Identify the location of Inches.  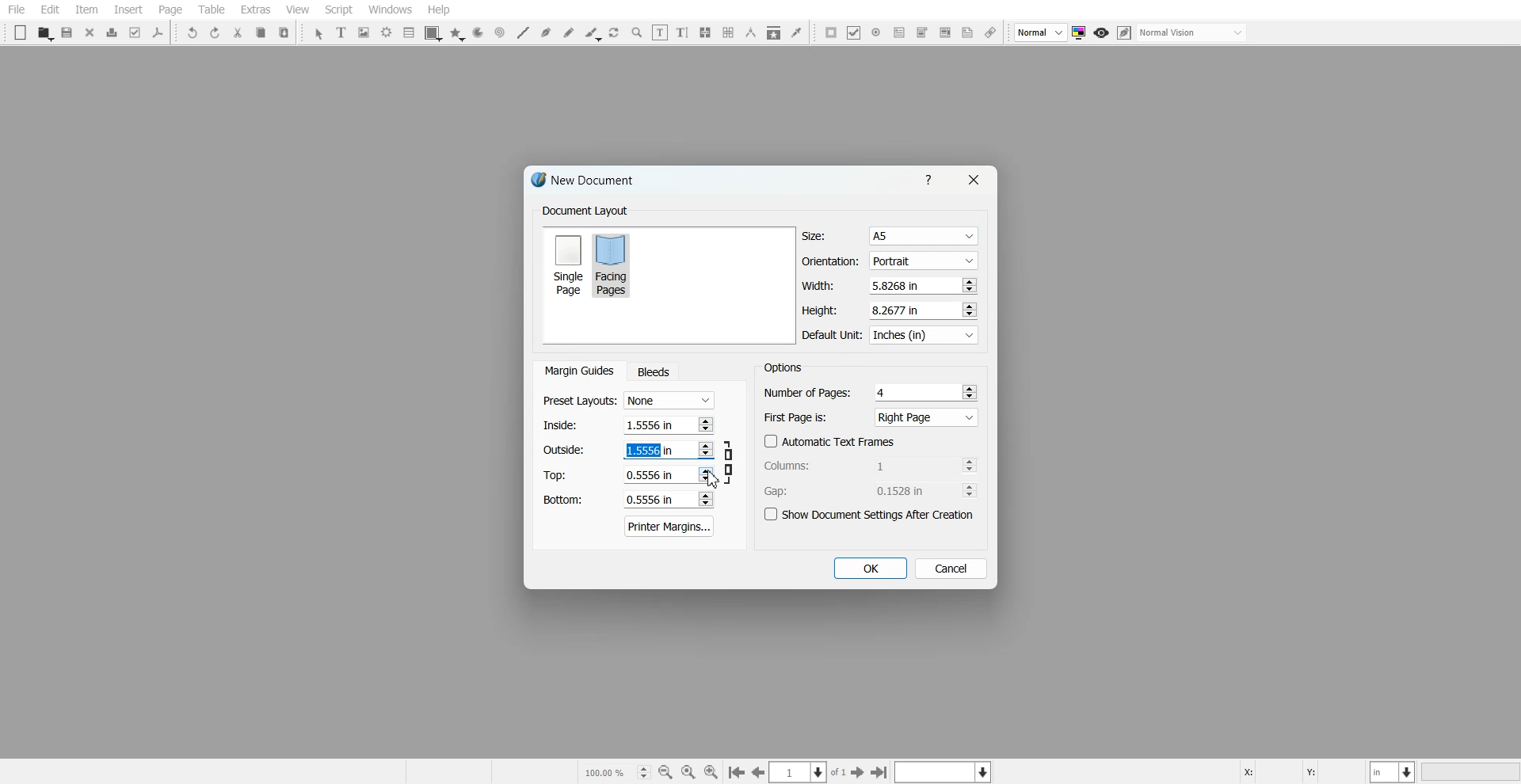
(924, 336).